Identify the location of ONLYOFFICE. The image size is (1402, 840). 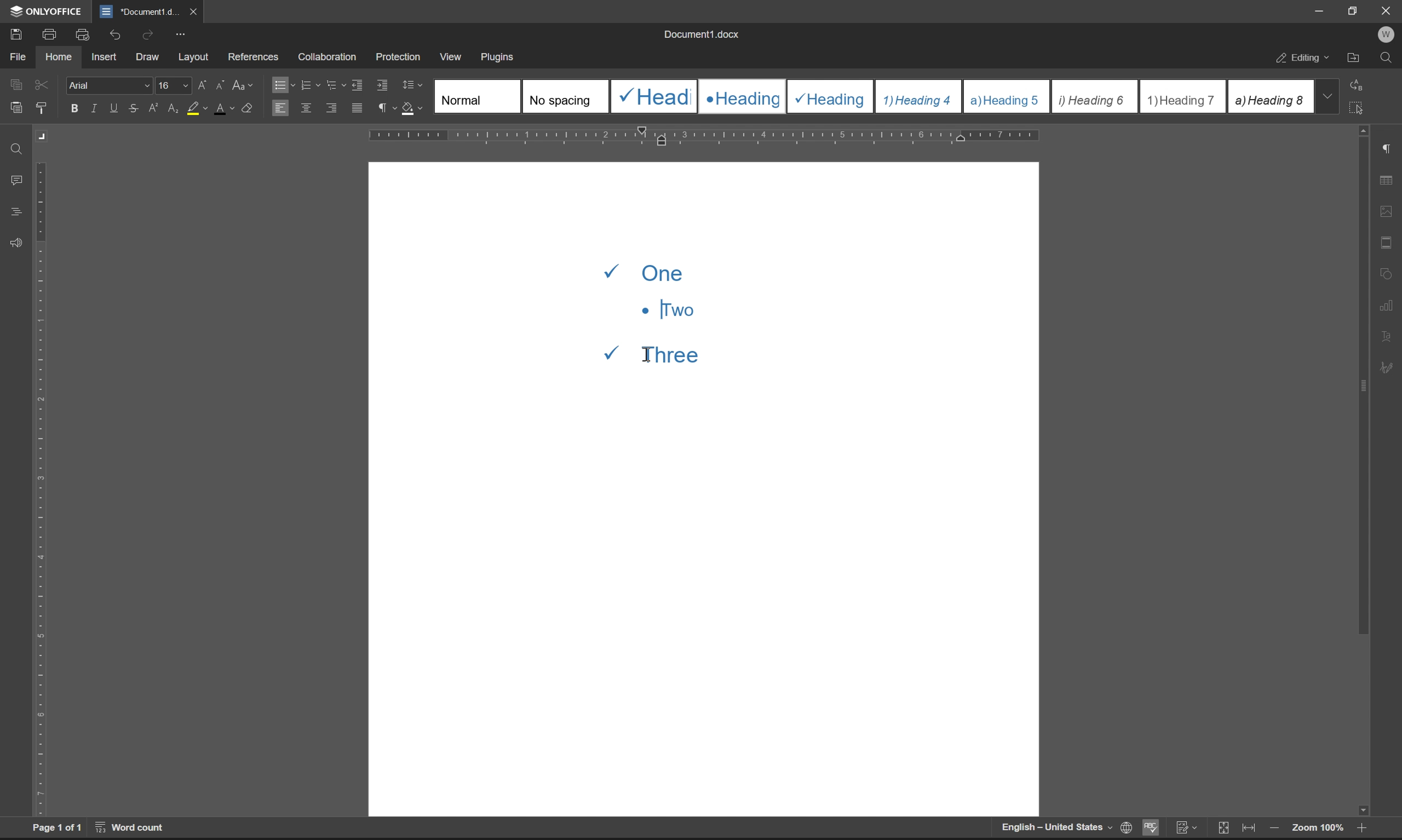
(48, 11).